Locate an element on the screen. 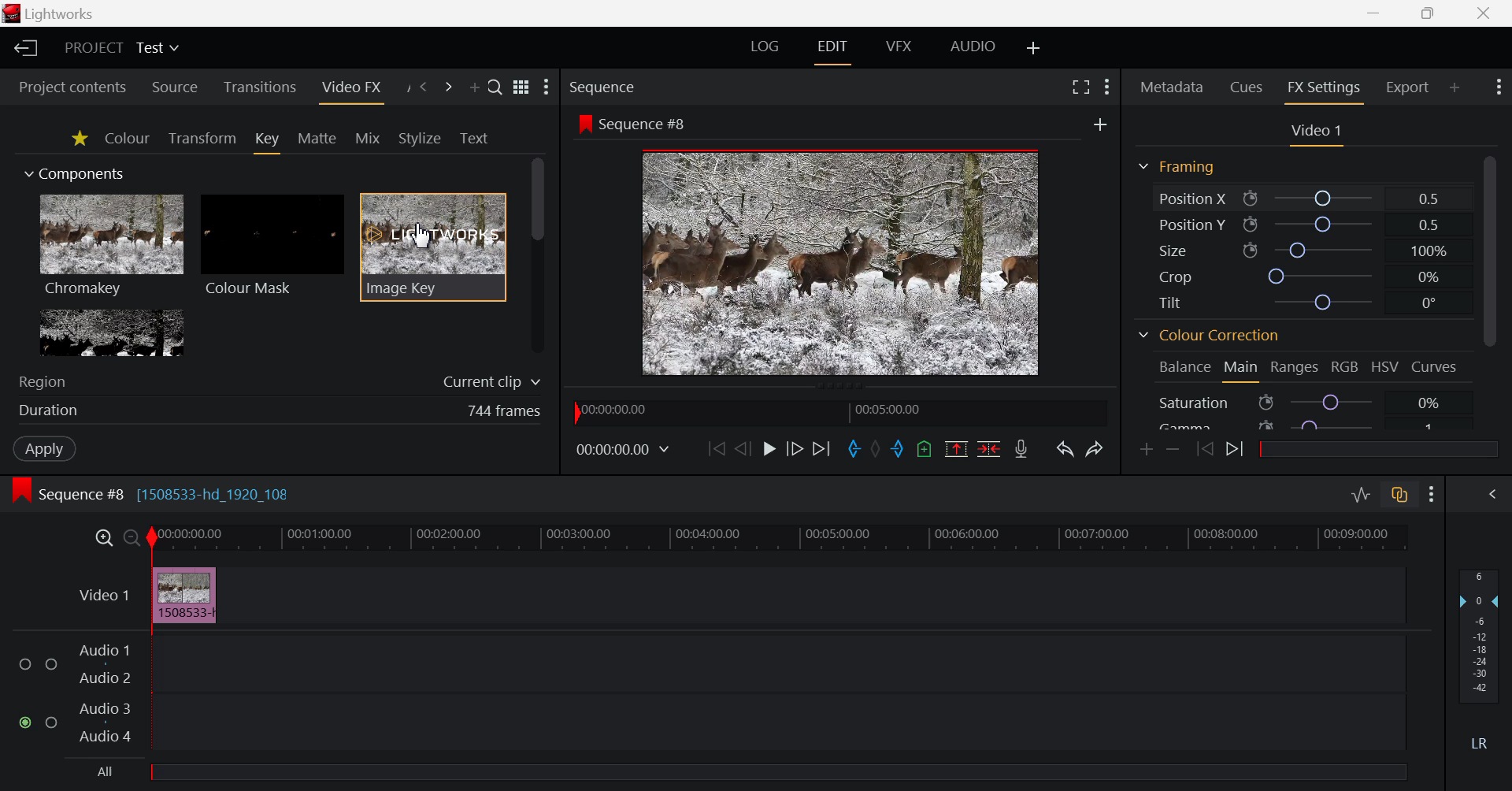  Audio 2 is located at coordinates (104, 678).